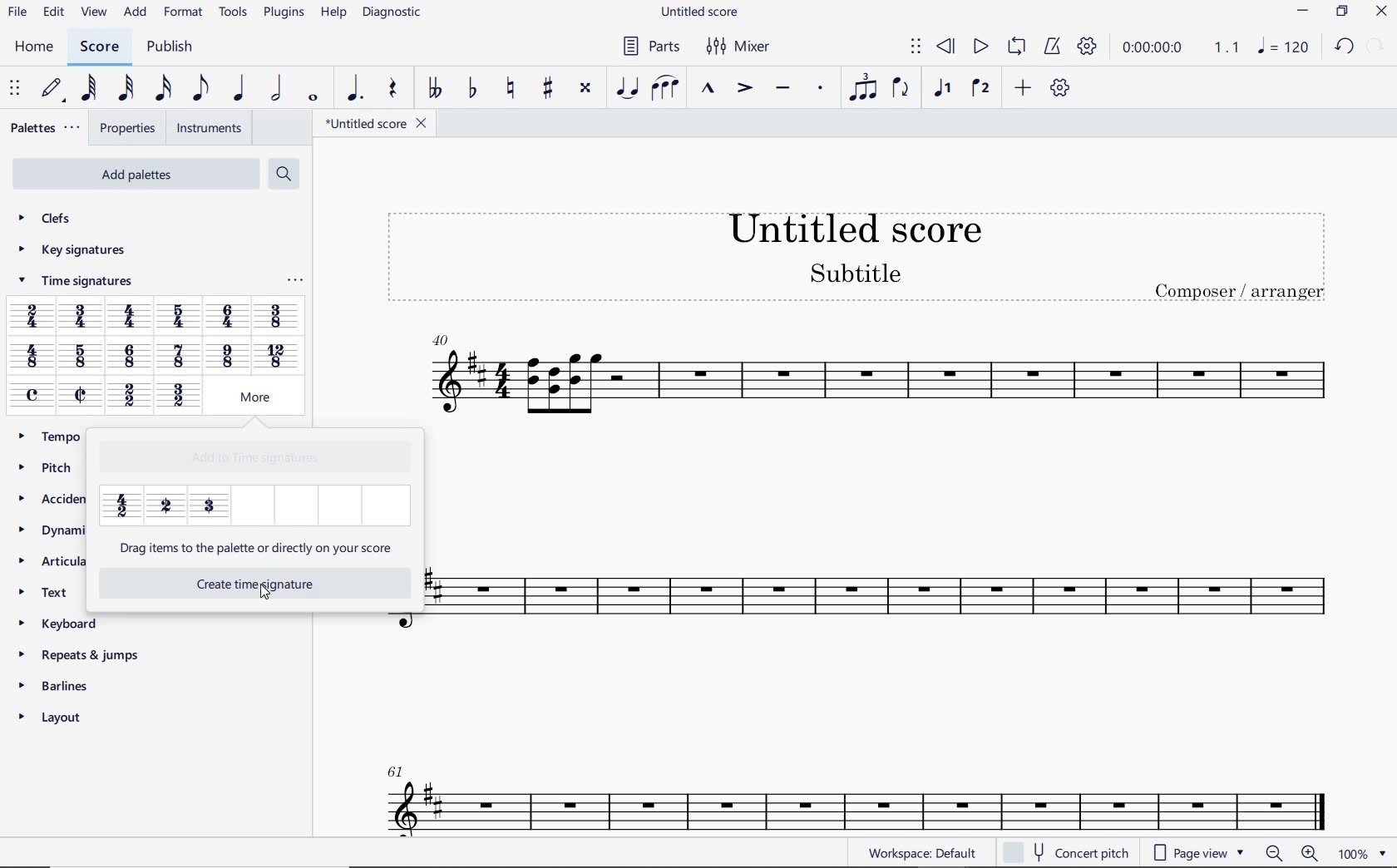 This screenshot has height=868, width=1397. Describe the element at coordinates (82, 318) in the screenshot. I see `3/4` at that location.